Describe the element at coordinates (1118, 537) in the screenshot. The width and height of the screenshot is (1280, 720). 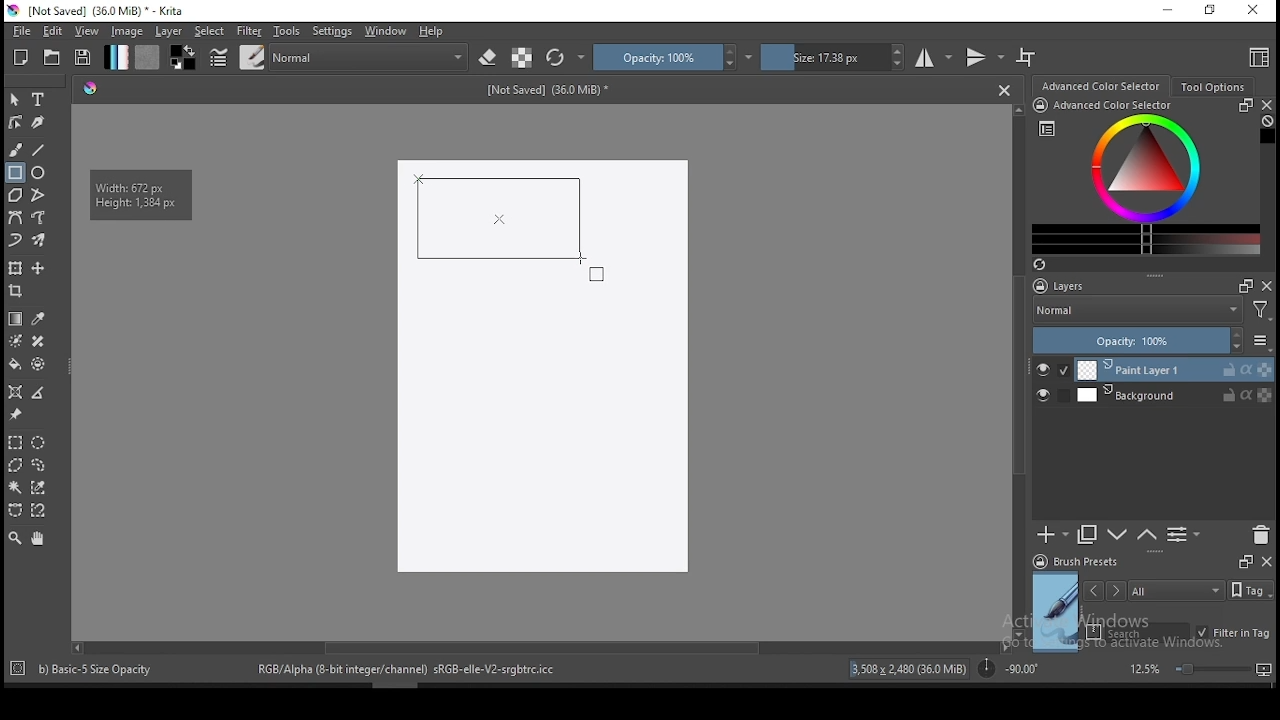
I see `move layer one step up` at that location.